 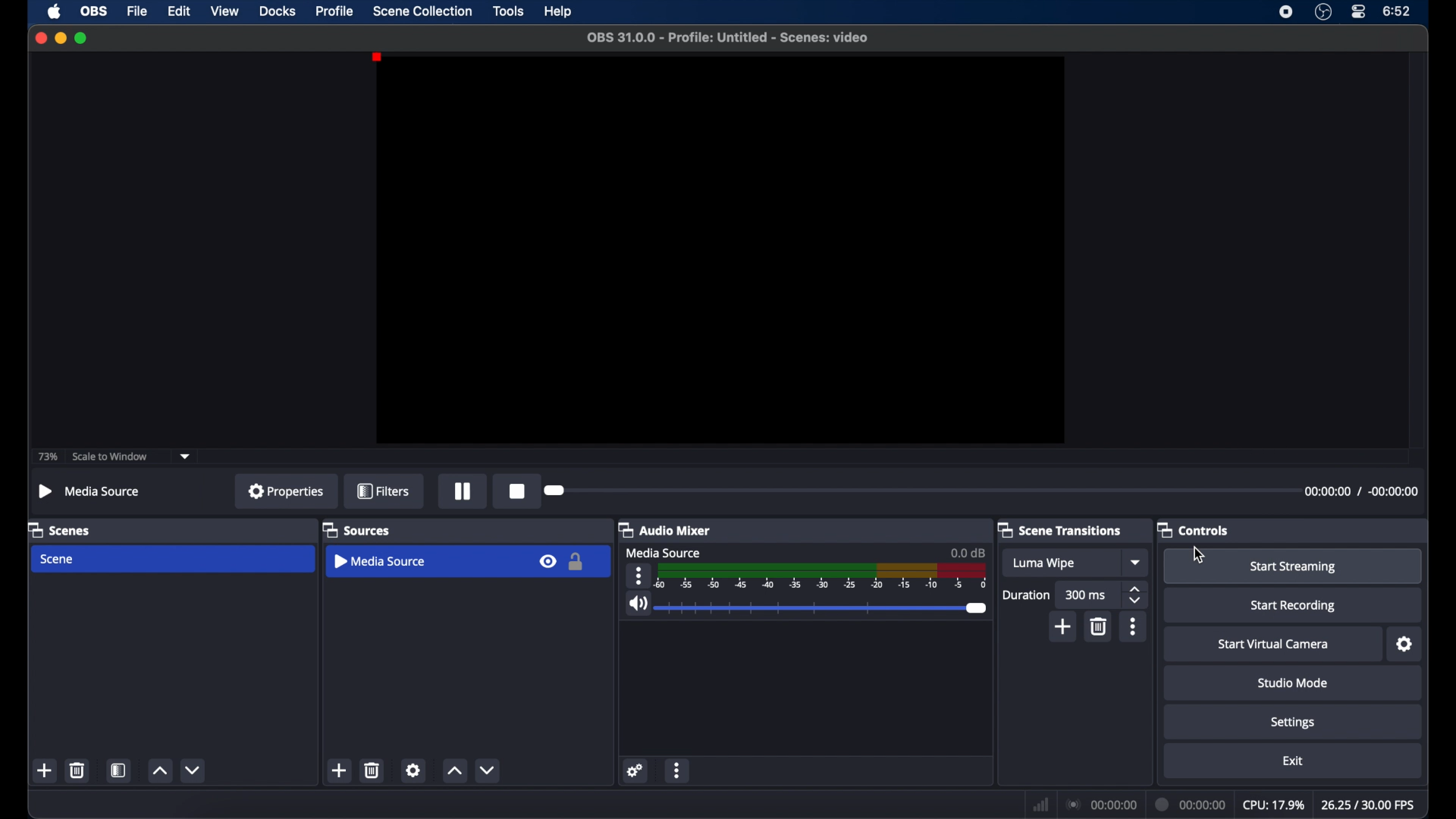 I want to click on slider, so click(x=555, y=490).